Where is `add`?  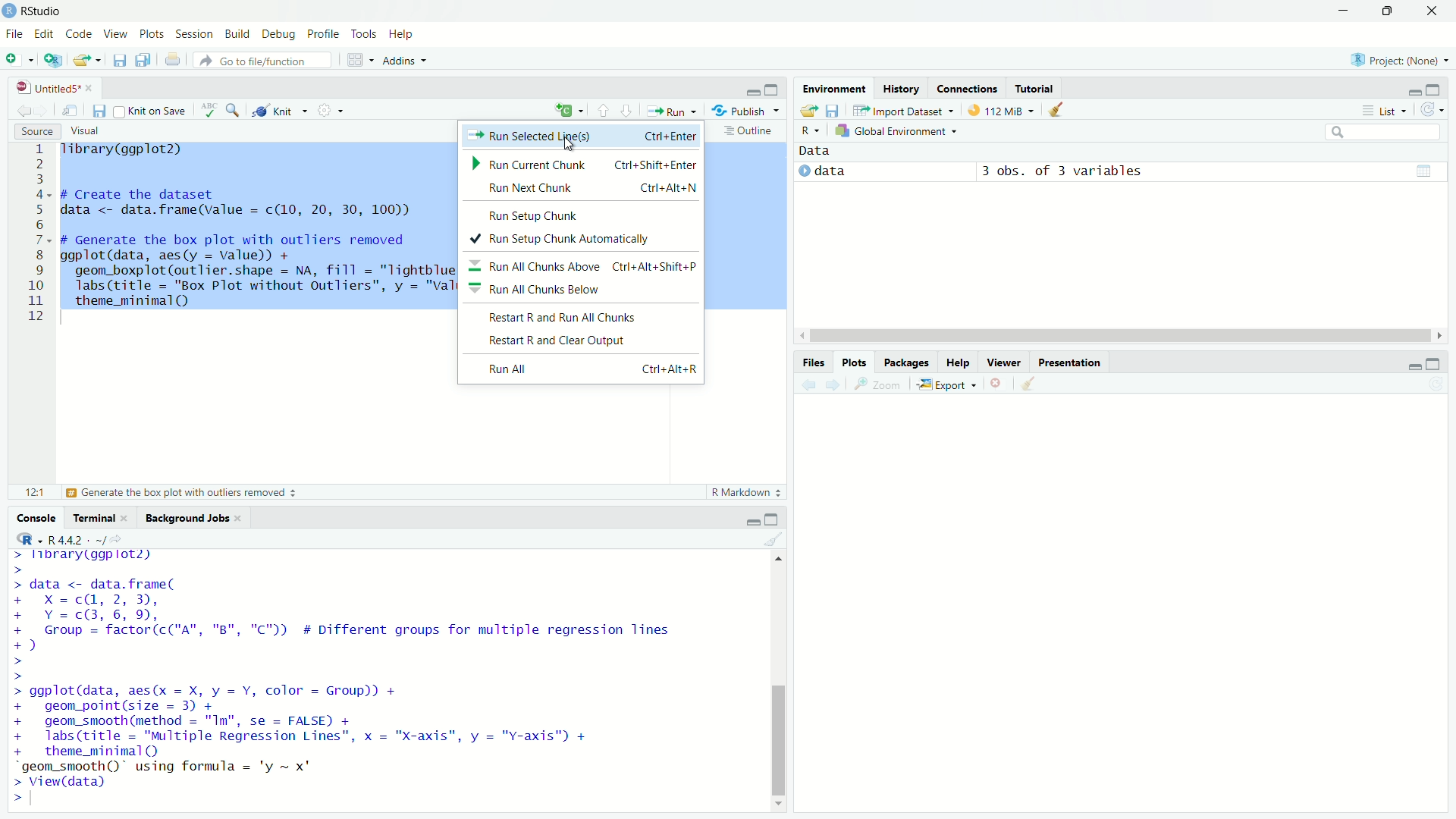
add is located at coordinates (53, 63).